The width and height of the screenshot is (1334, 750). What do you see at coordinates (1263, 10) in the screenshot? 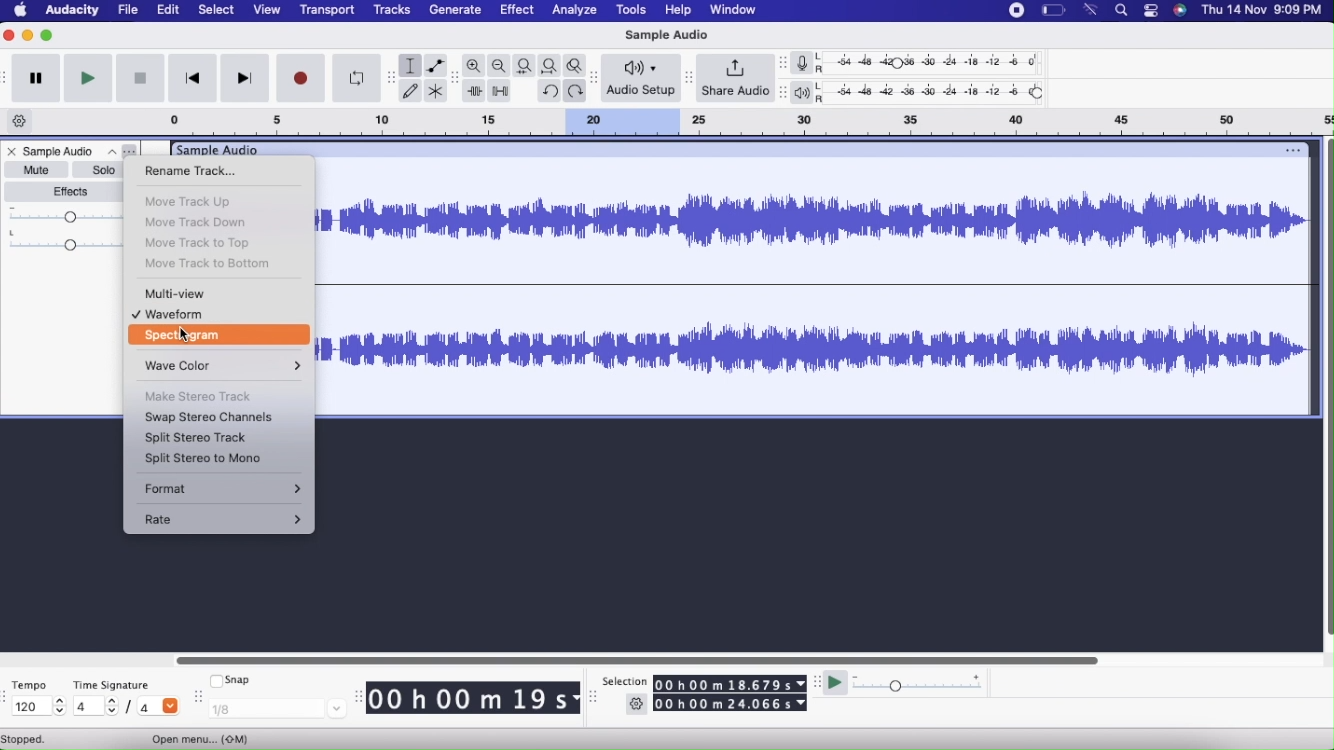
I see `date and time` at bounding box center [1263, 10].